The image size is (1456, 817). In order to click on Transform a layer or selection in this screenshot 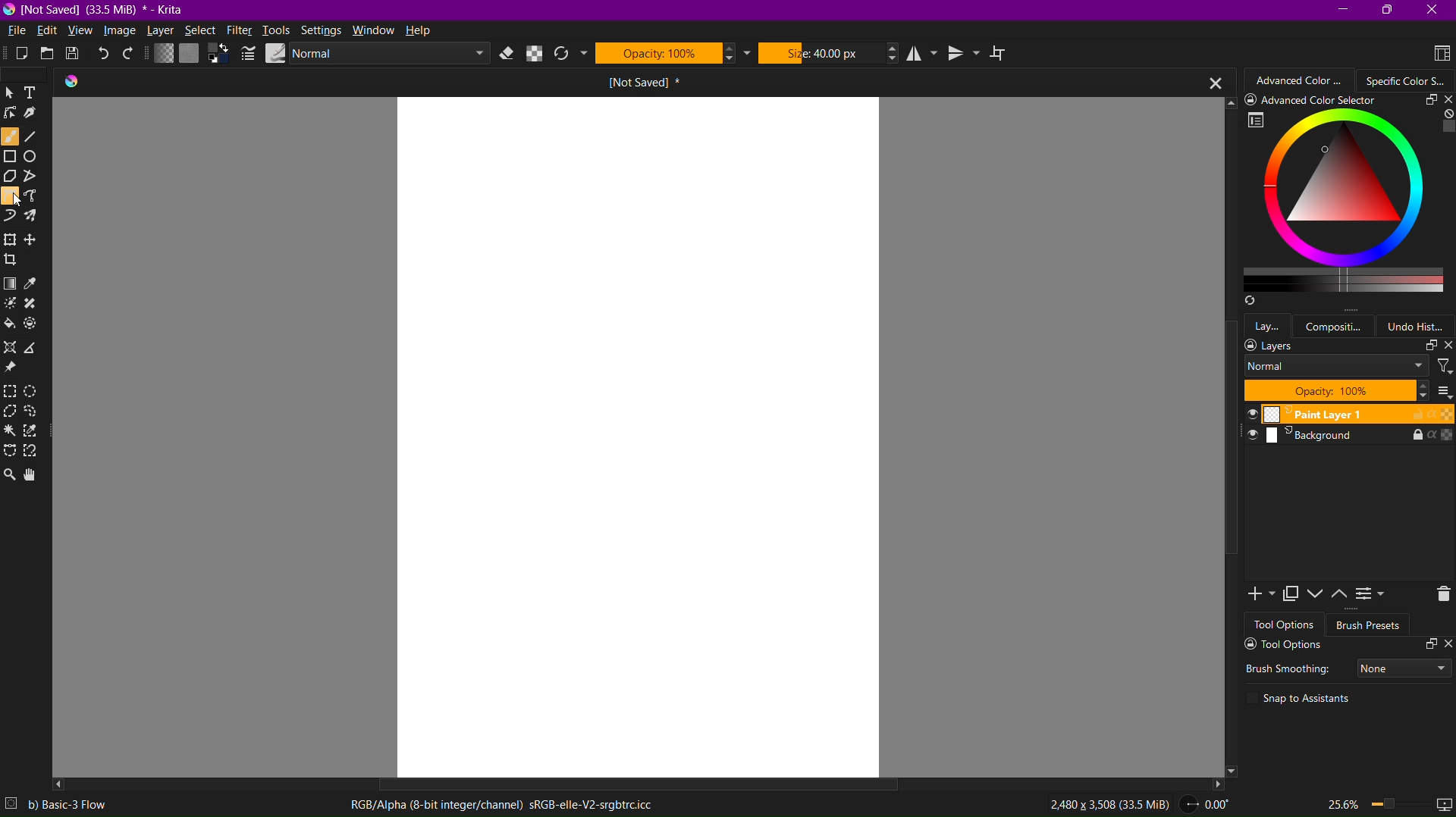, I will do `click(9, 239)`.